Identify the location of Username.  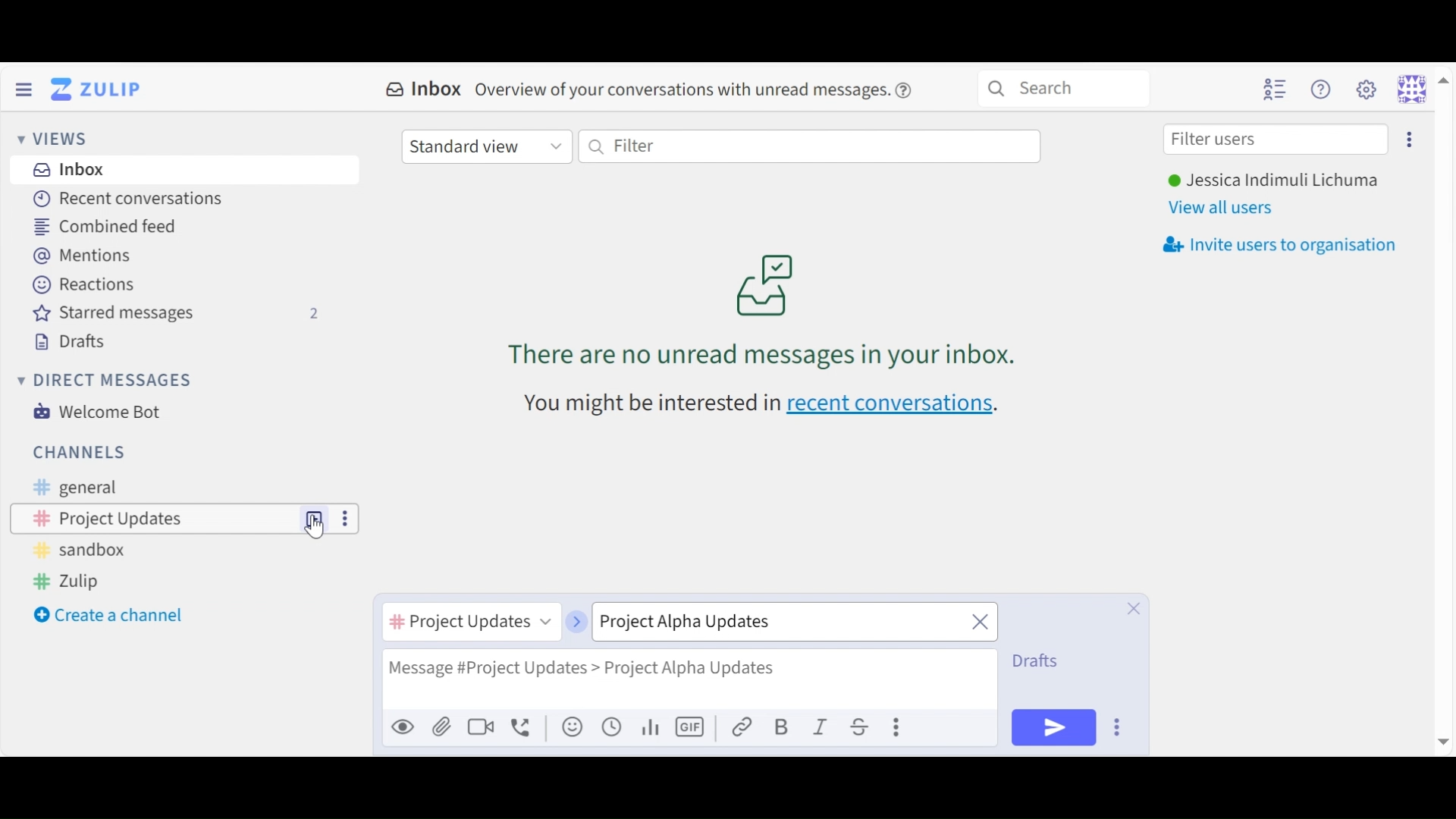
(1272, 181).